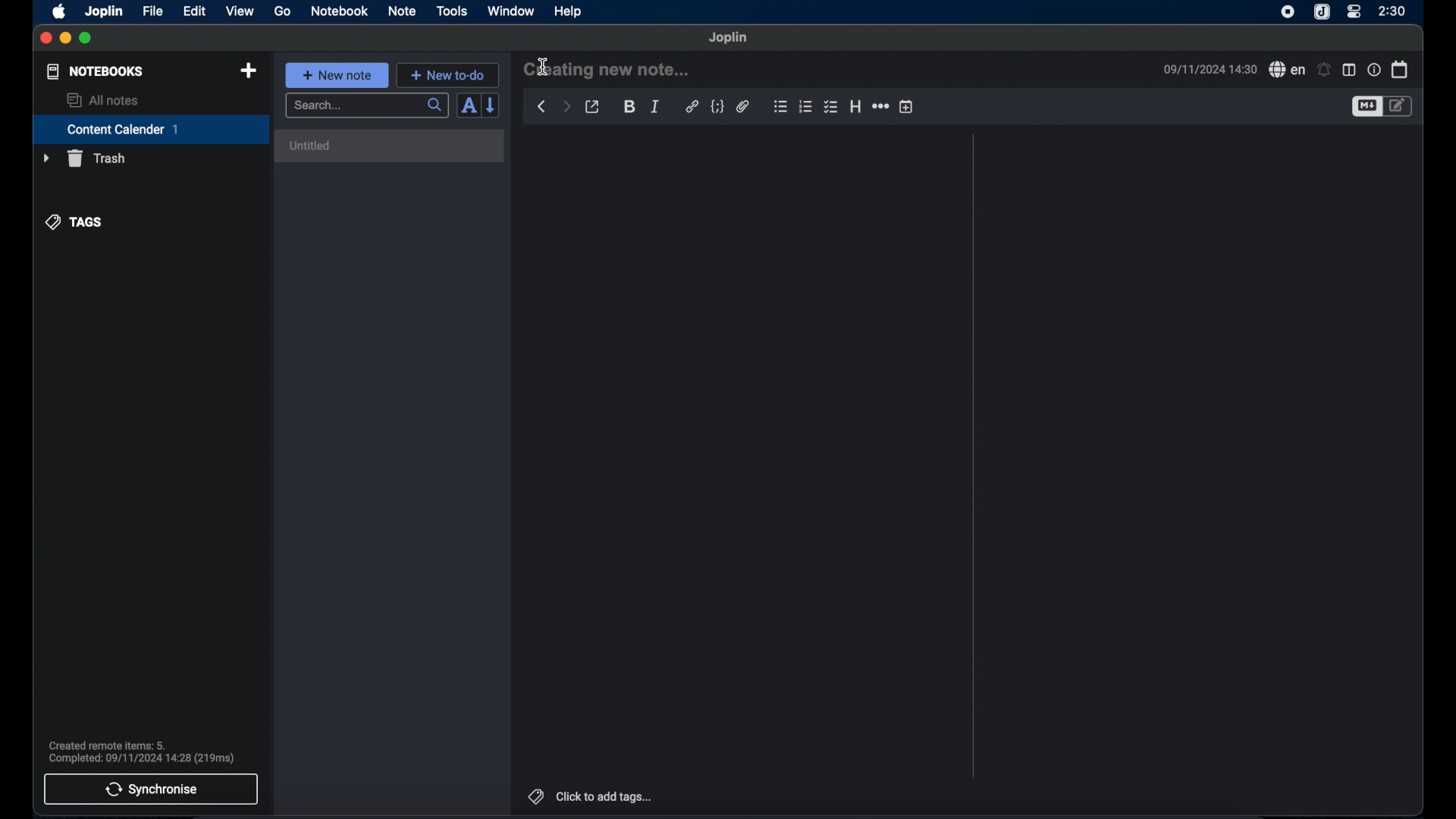  Describe the element at coordinates (974, 456) in the screenshot. I see `divider` at that location.